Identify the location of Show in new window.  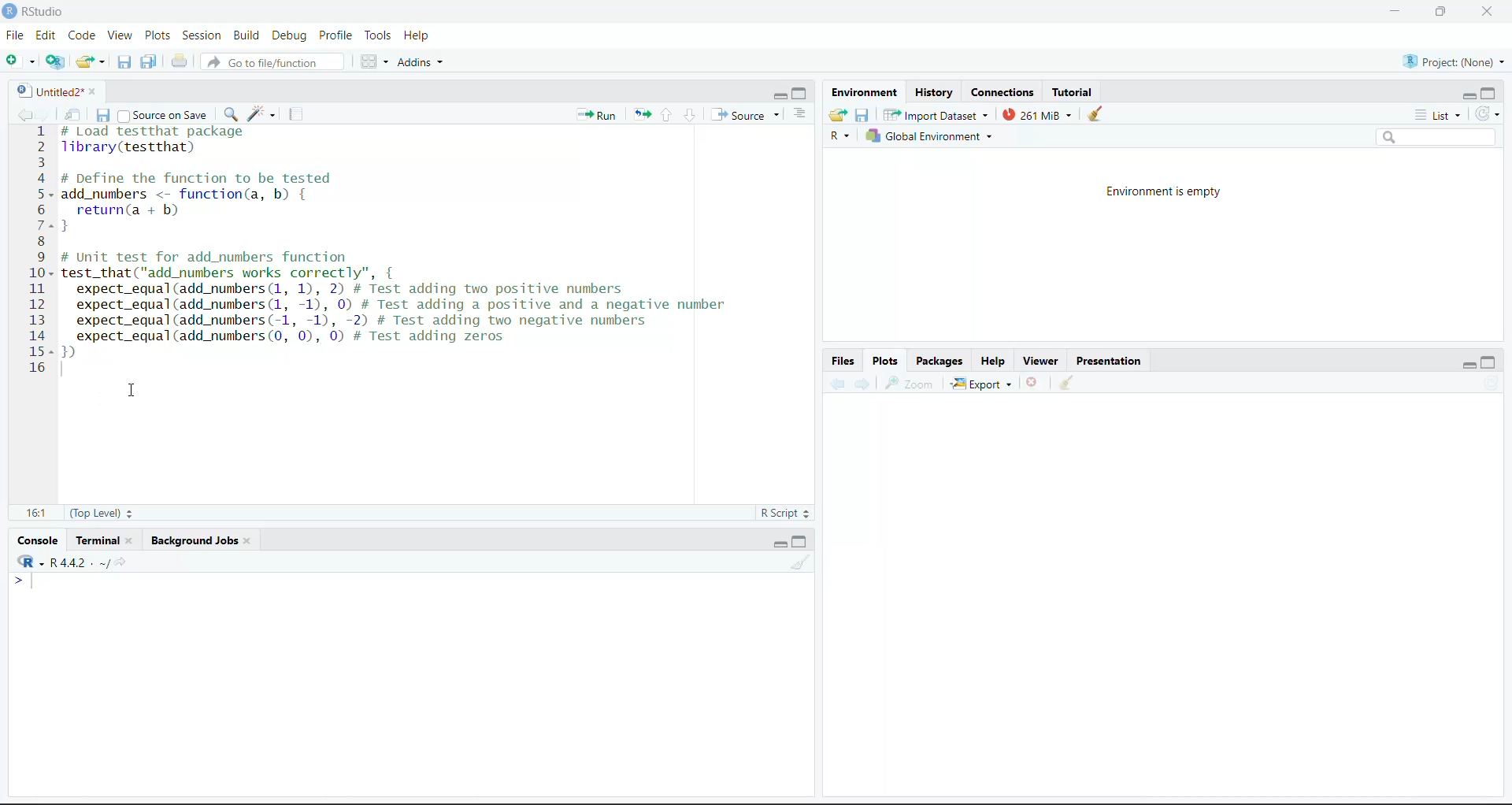
(73, 115).